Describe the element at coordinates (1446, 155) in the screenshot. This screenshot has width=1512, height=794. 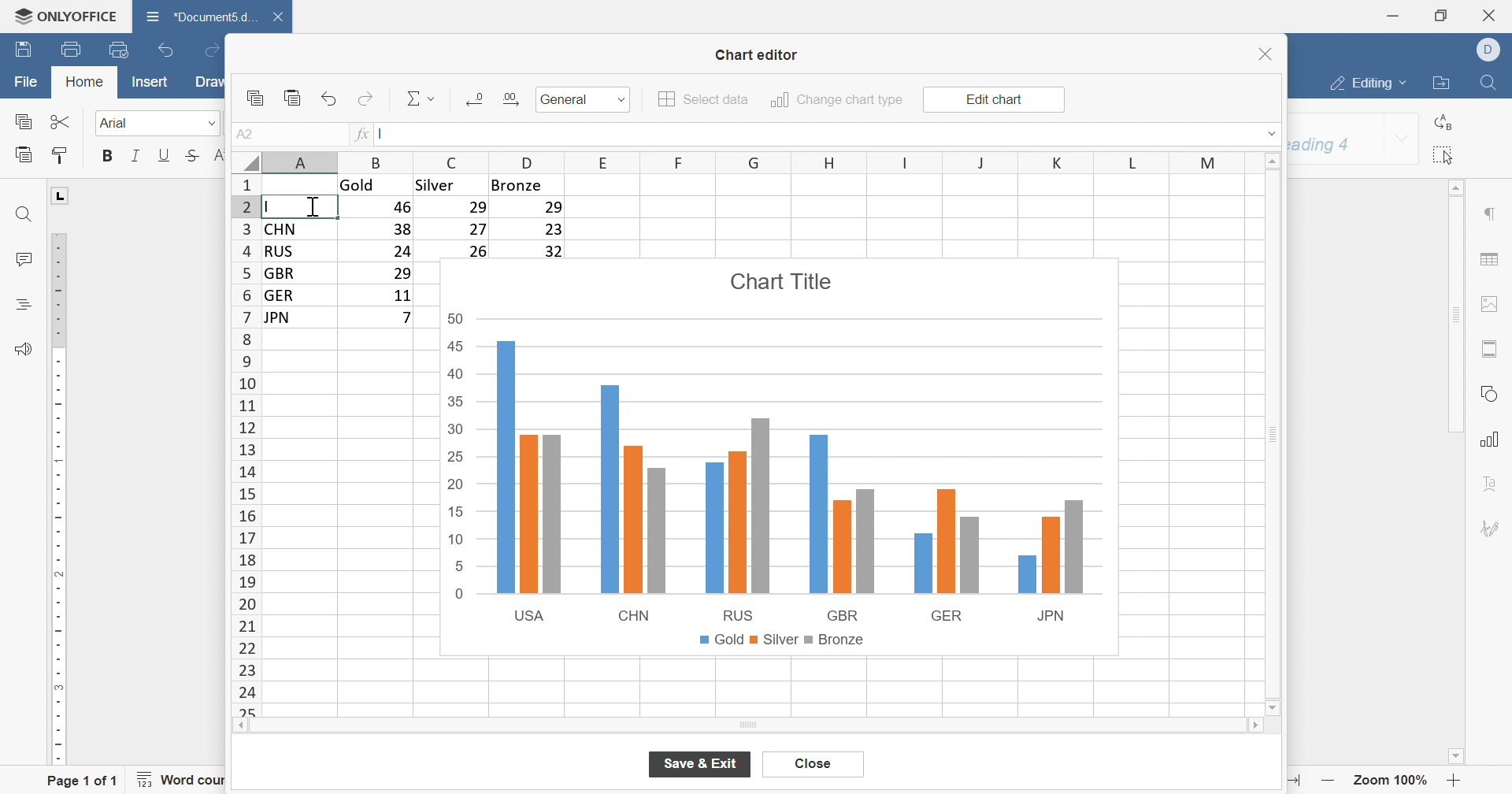
I see `select all` at that location.